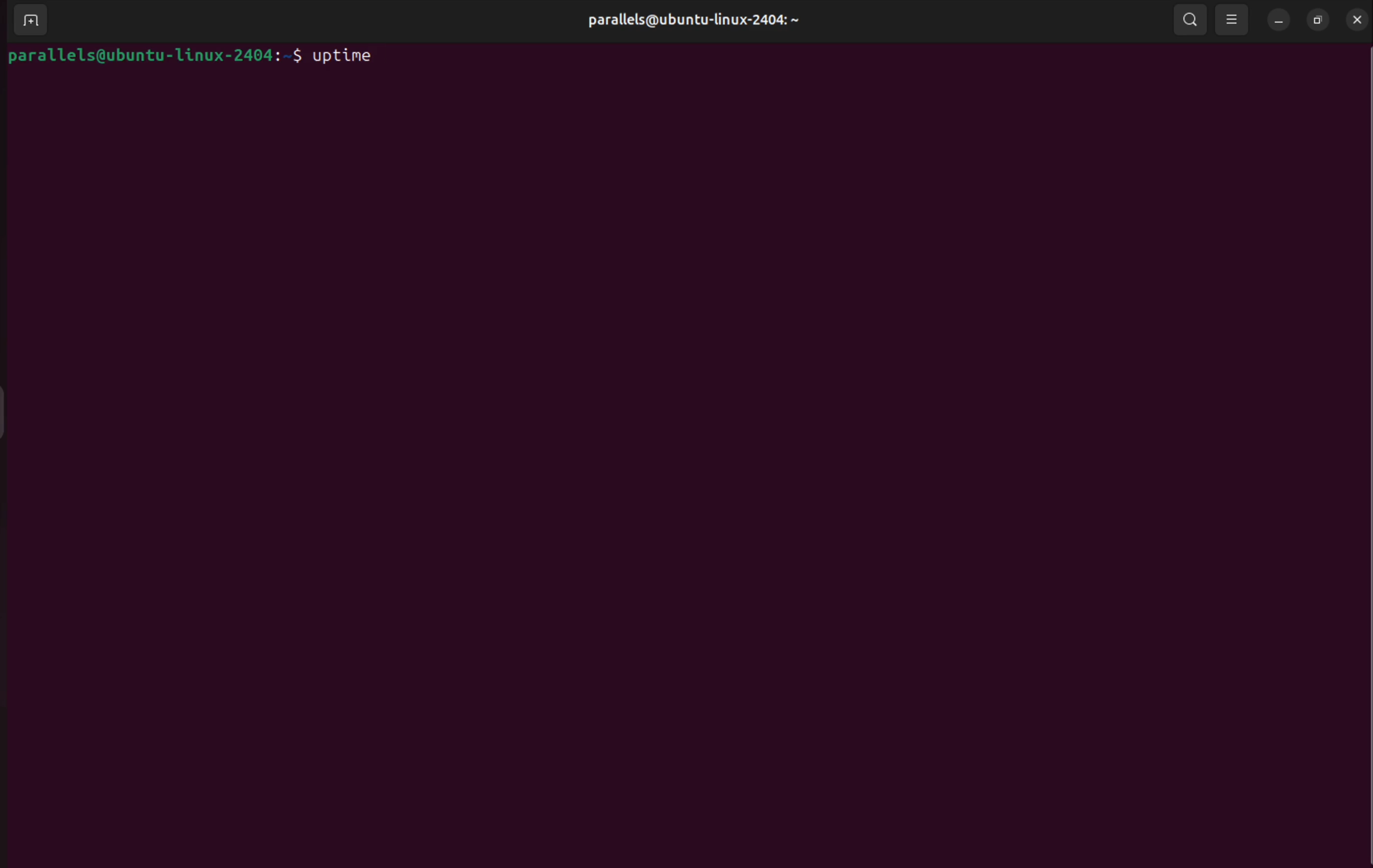 This screenshot has width=1373, height=868. What do you see at coordinates (1233, 18) in the screenshot?
I see `view options` at bounding box center [1233, 18].